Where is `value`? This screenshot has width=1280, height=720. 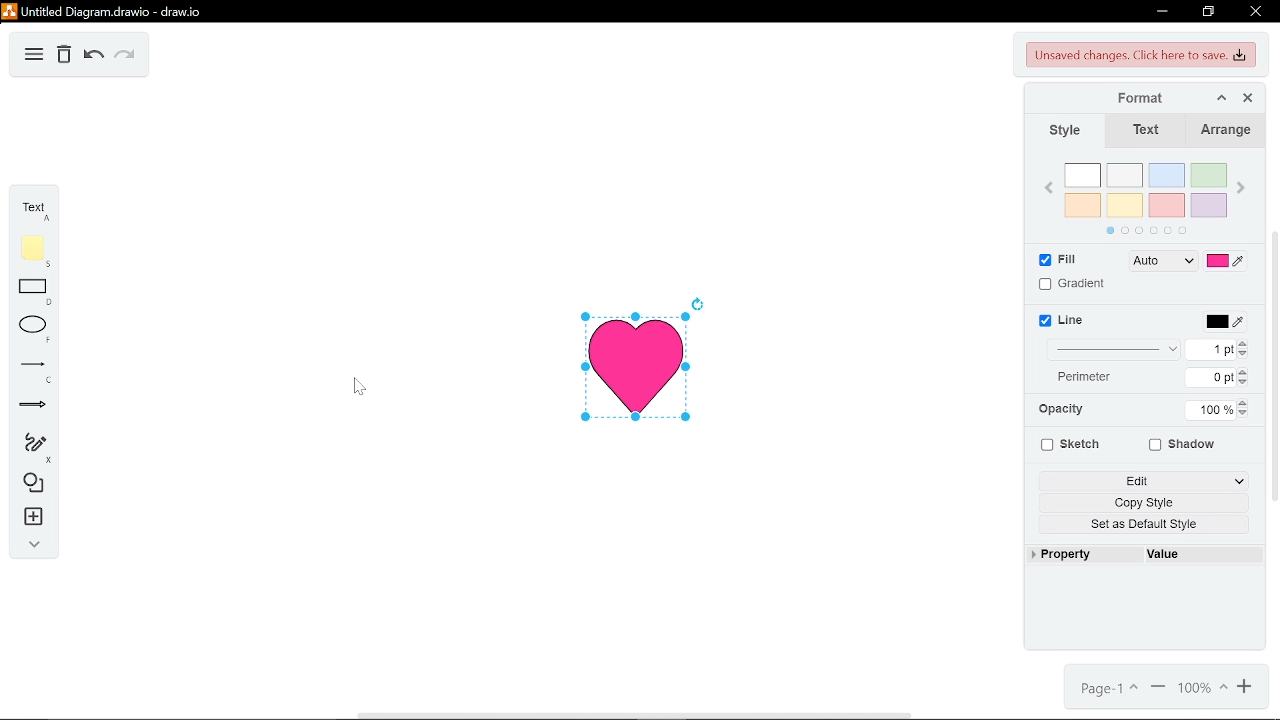
value is located at coordinates (1167, 553).